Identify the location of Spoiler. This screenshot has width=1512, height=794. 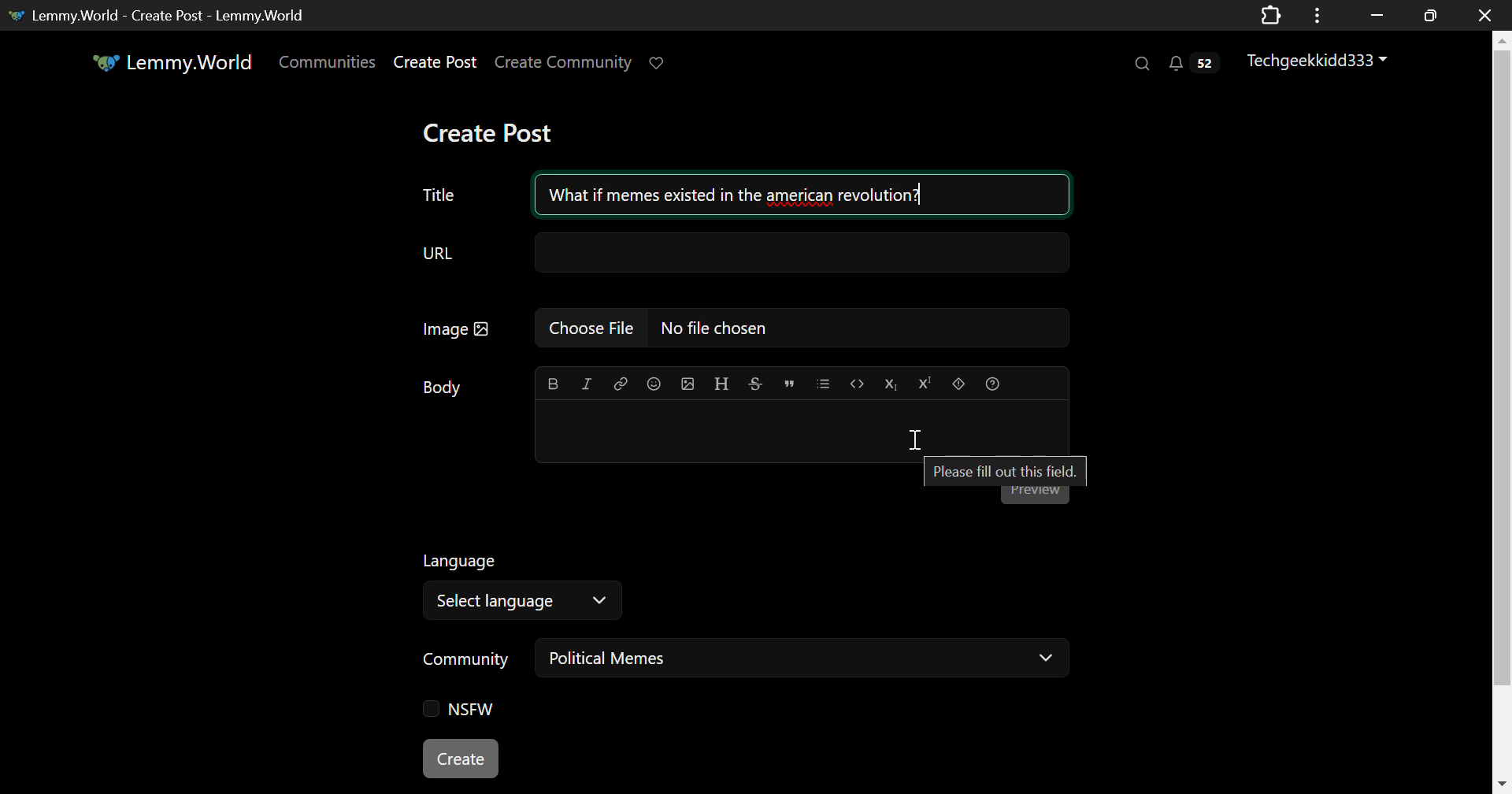
(958, 382).